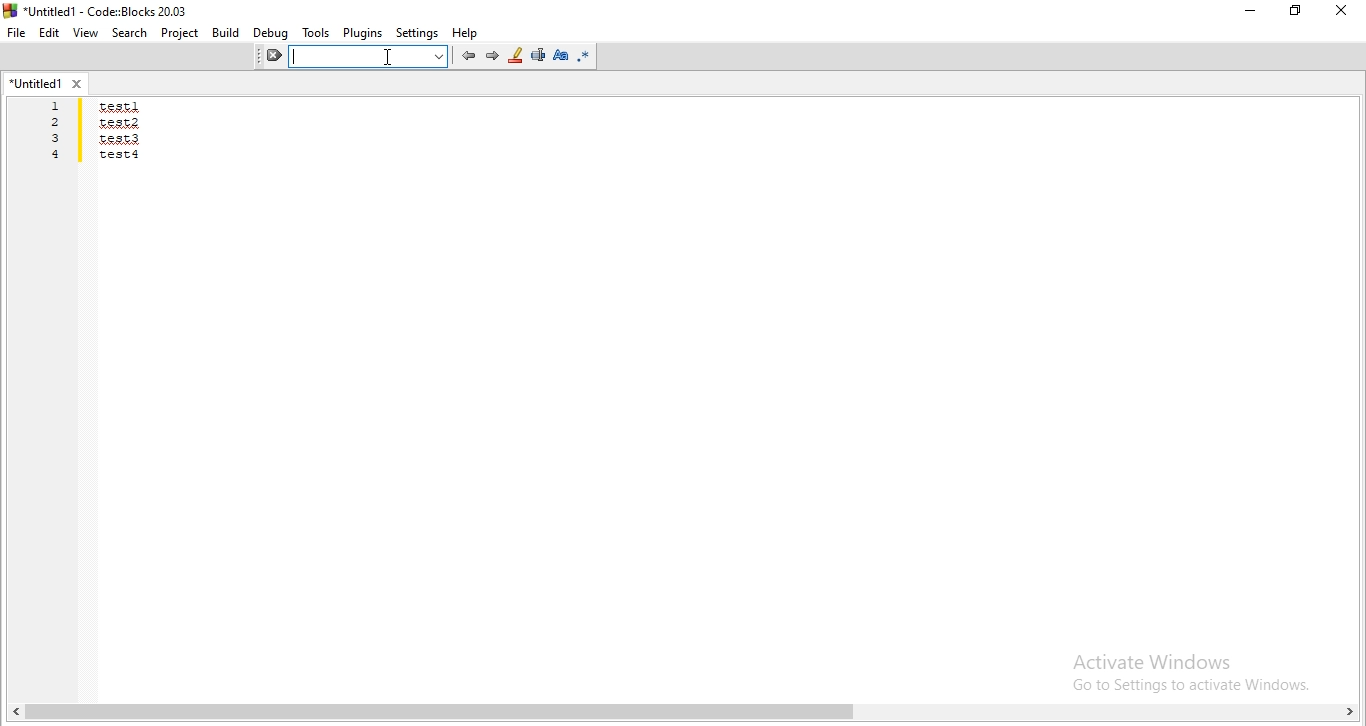  What do you see at coordinates (86, 32) in the screenshot?
I see `View` at bounding box center [86, 32].